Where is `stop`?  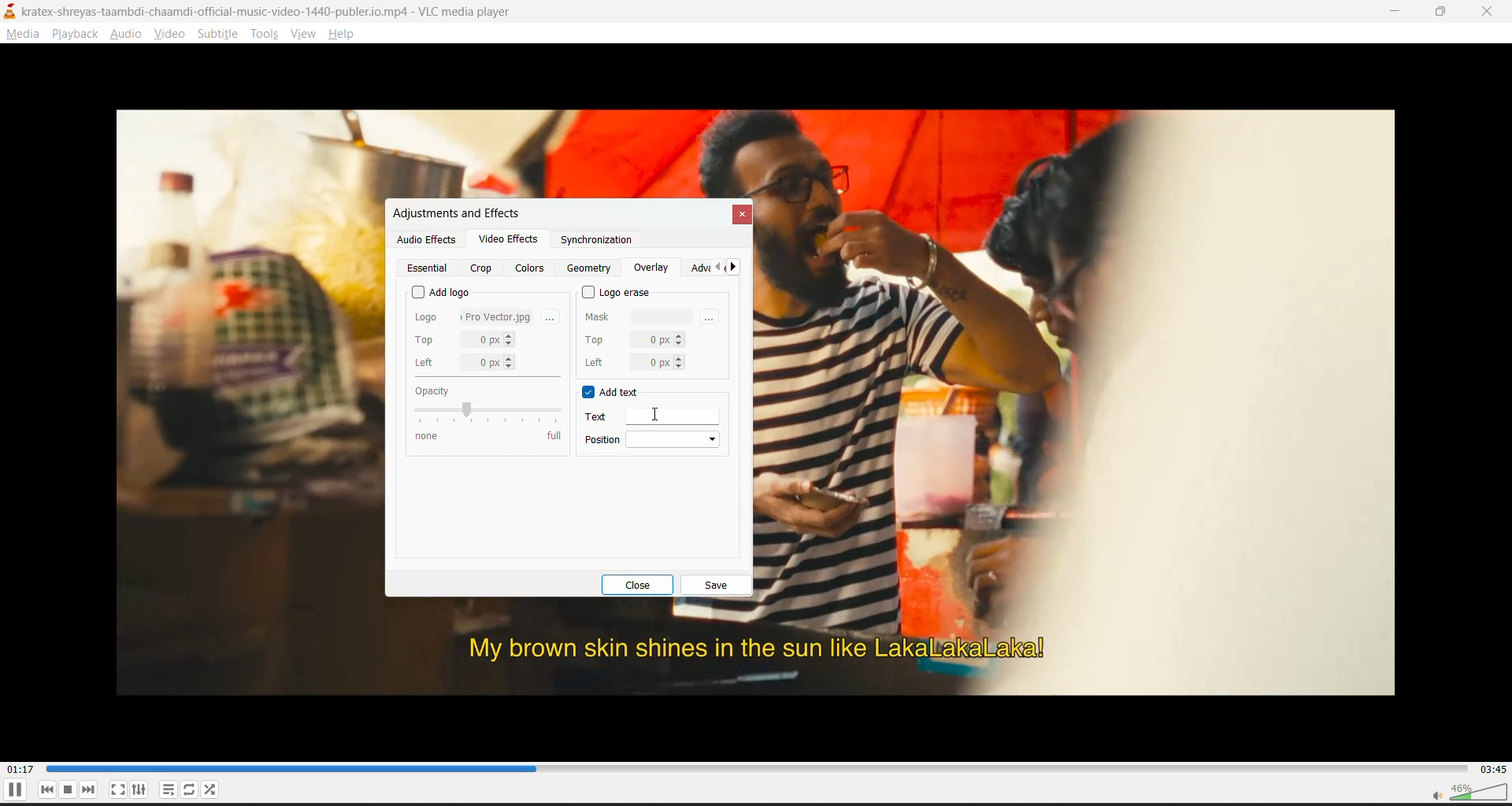 stop is located at coordinates (71, 790).